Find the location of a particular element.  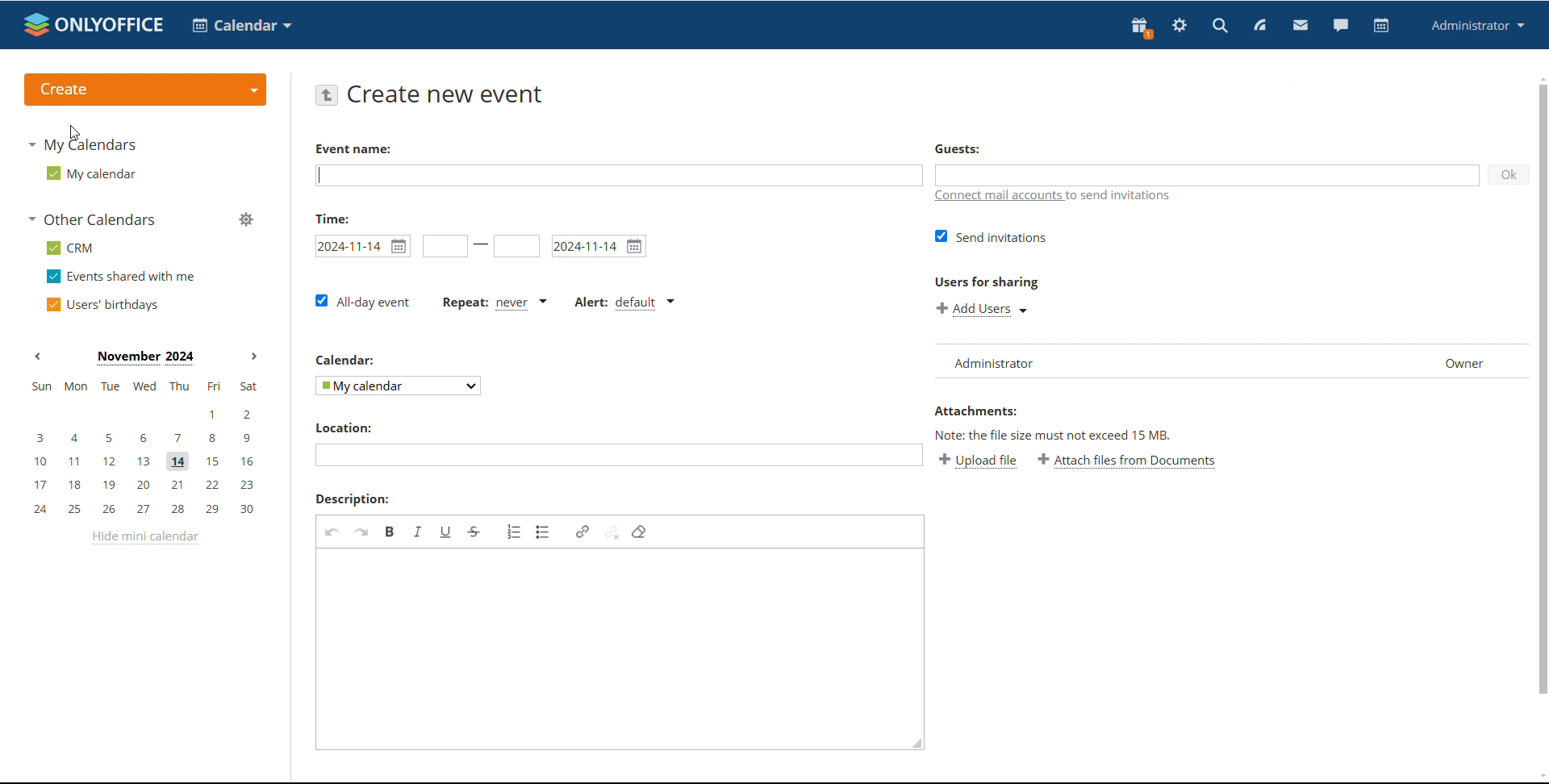

insert/remove bulleted list is located at coordinates (544, 532).